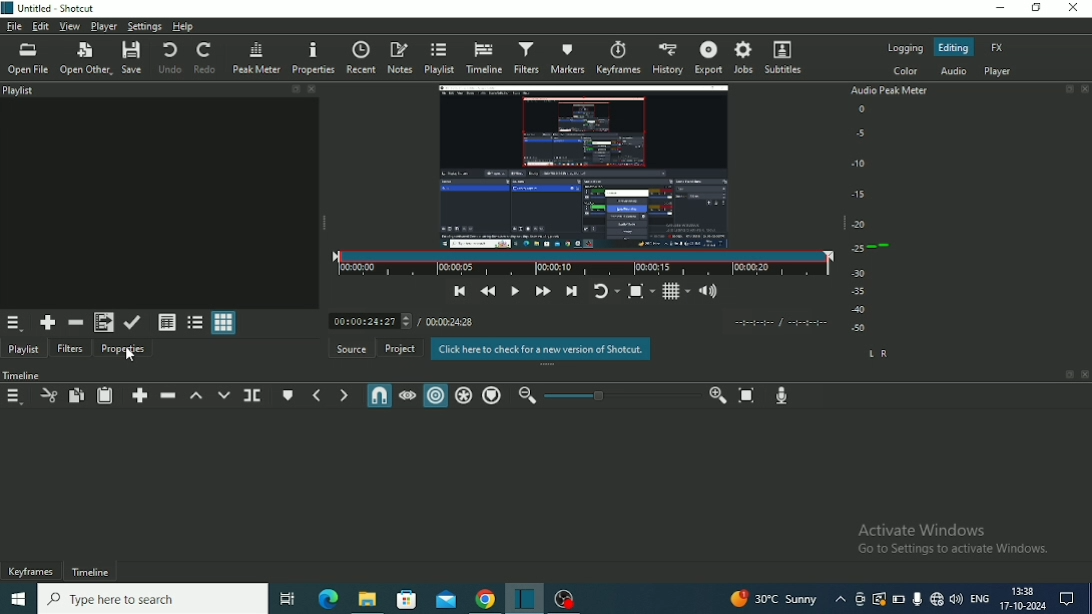 The height and width of the screenshot is (614, 1092). Describe the element at coordinates (351, 348) in the screenshot. I see `Source` at that location.